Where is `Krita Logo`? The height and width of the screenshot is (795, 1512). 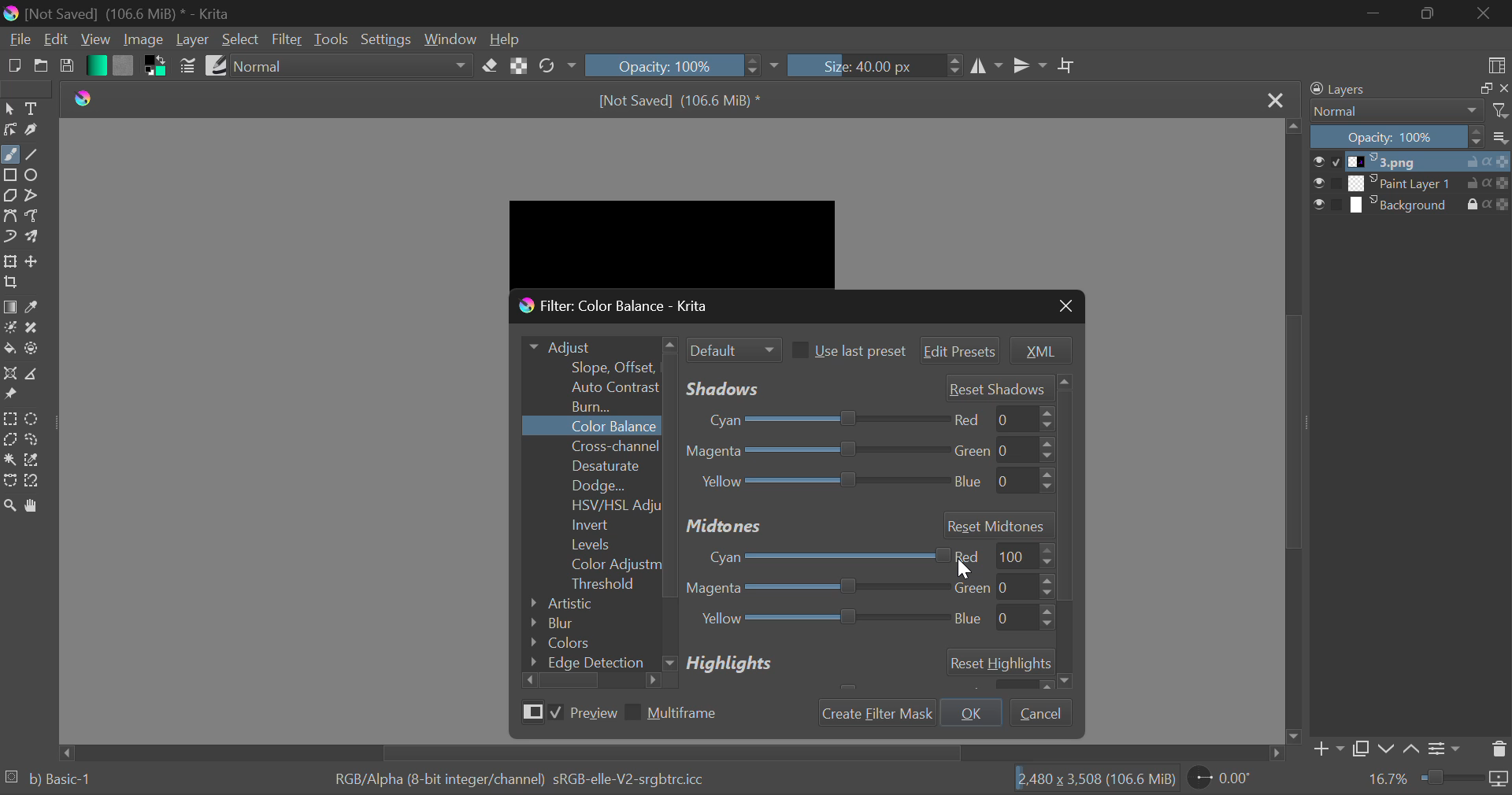 Krita Logo is located at coordinates (83, 97).